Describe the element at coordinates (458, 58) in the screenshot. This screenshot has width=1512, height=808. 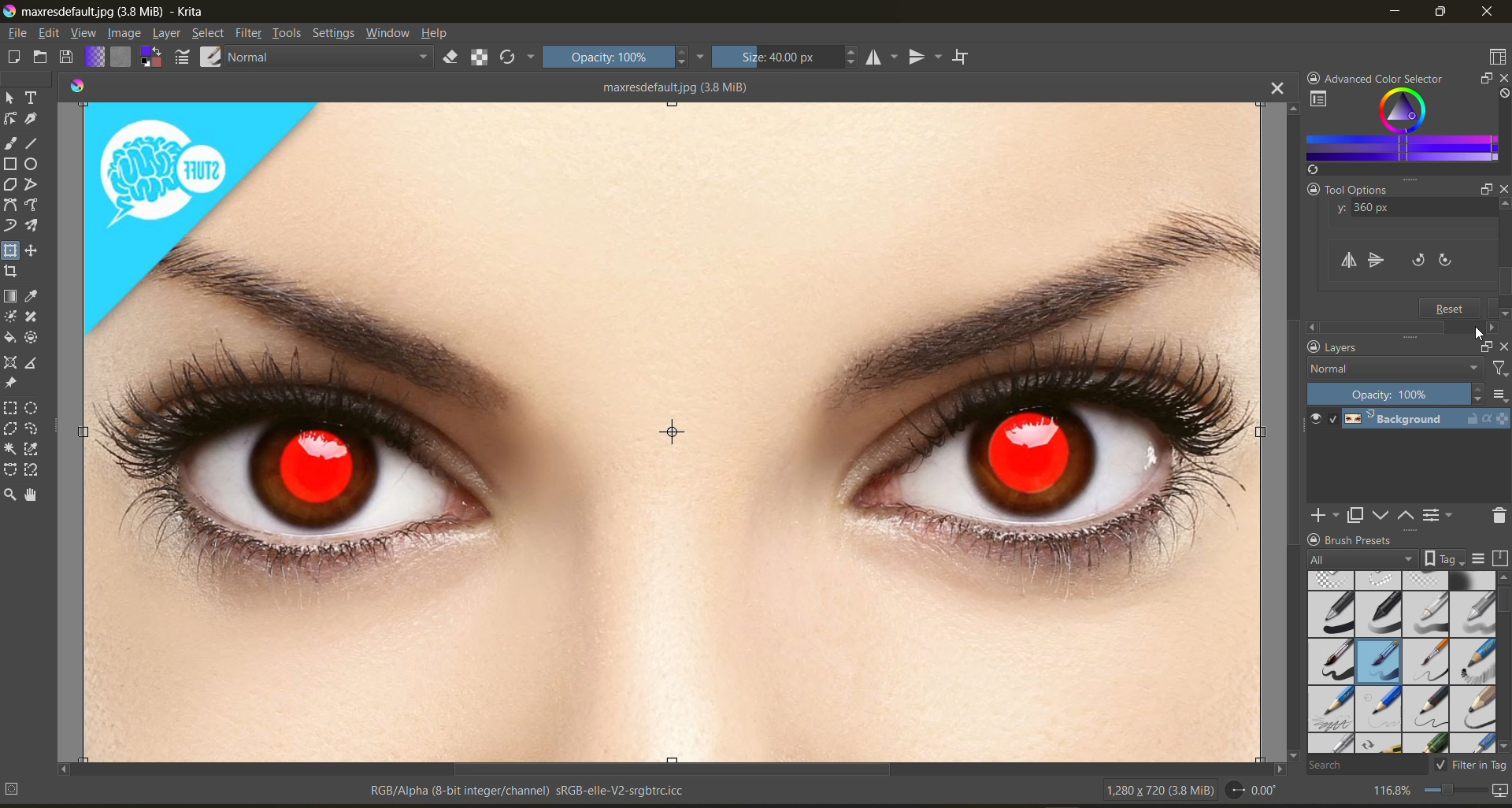
I see `set eraser mode` at that location.